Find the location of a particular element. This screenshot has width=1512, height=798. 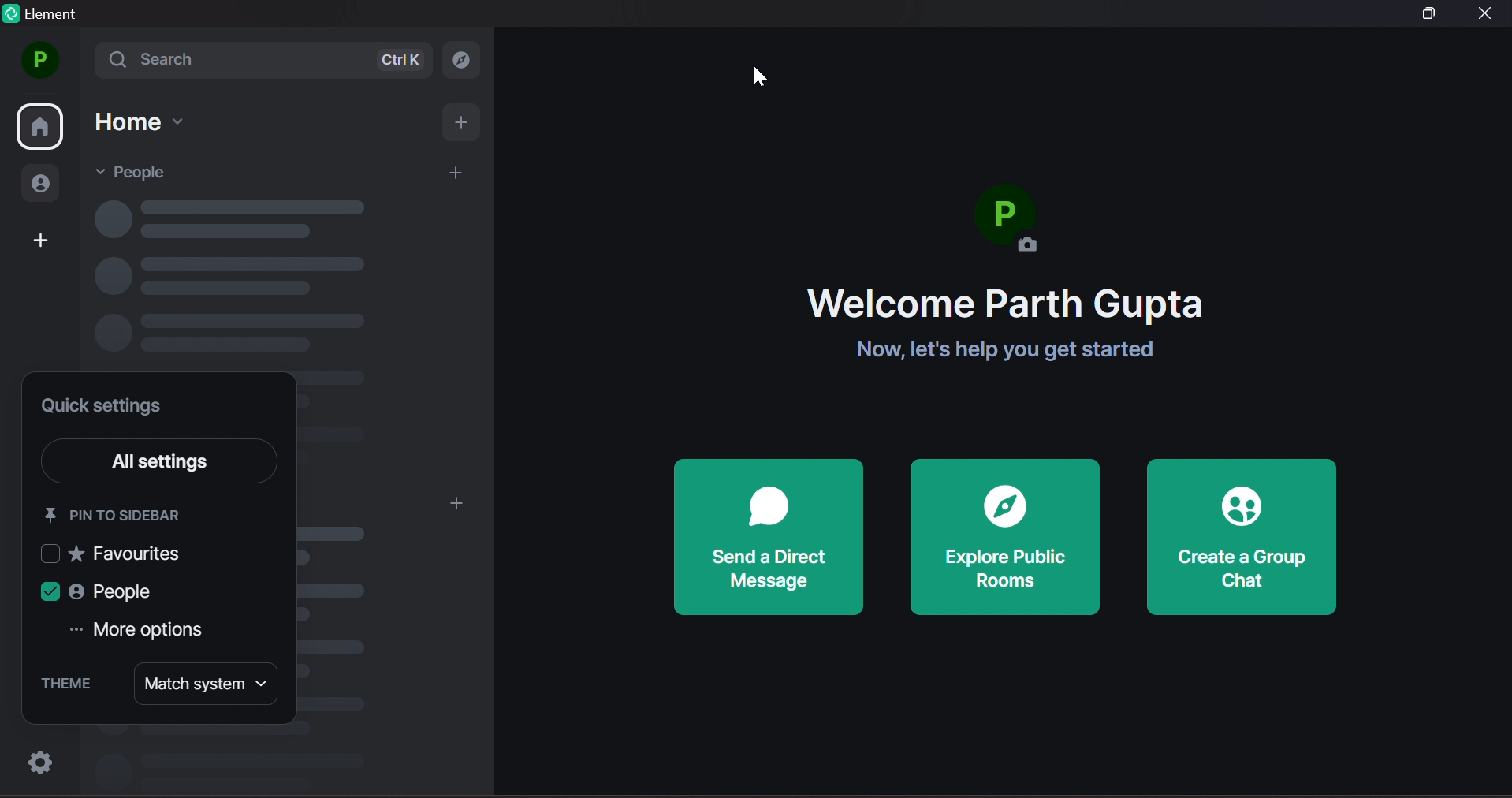

maximize is located at coordinates (1432, 13).